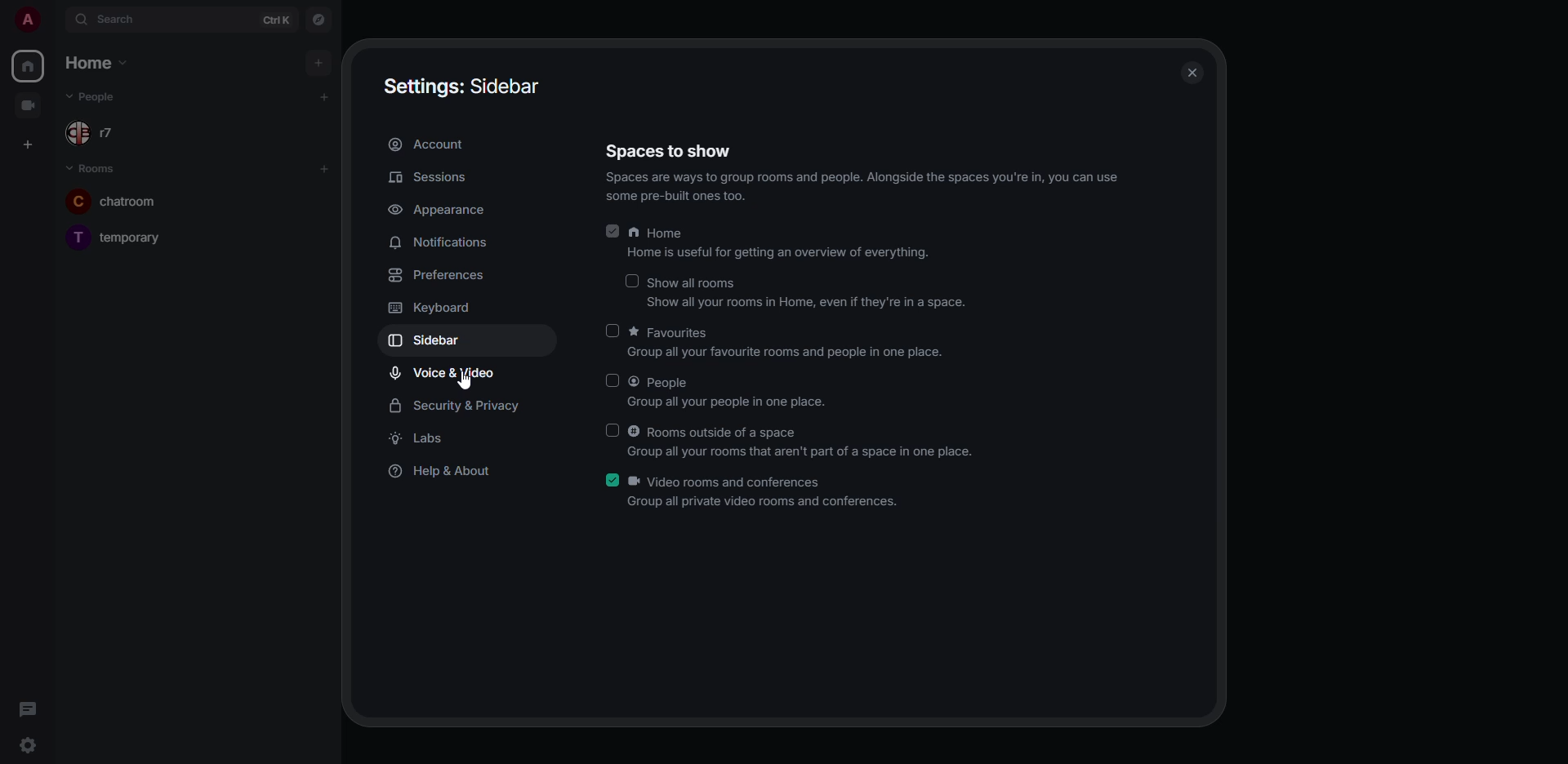 This screenshot has height=764, width=1568. I want to click on close, so click(1194, 73).